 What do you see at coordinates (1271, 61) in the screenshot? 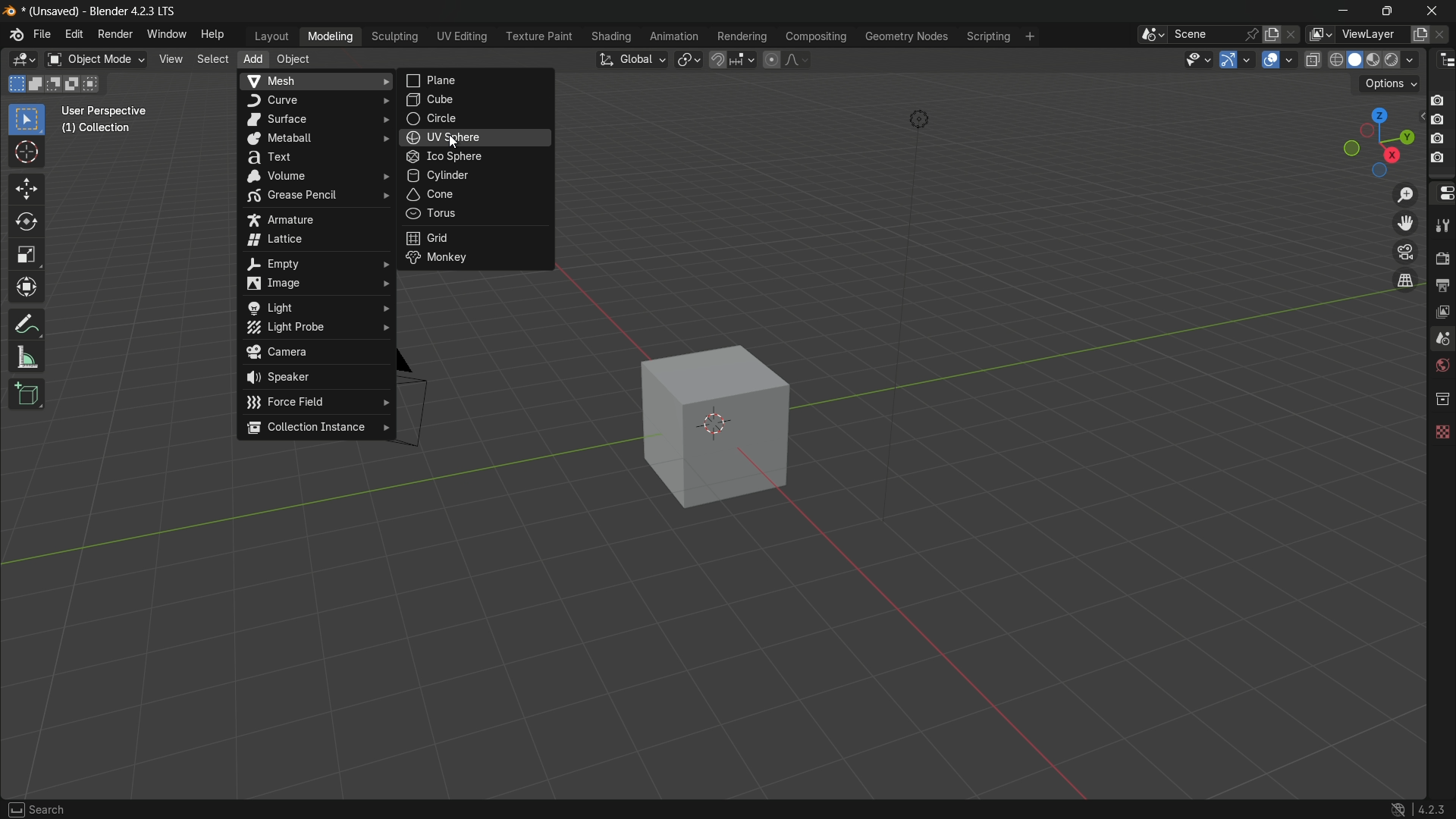
I see `show overlay` at bounding box center [1271, 61].